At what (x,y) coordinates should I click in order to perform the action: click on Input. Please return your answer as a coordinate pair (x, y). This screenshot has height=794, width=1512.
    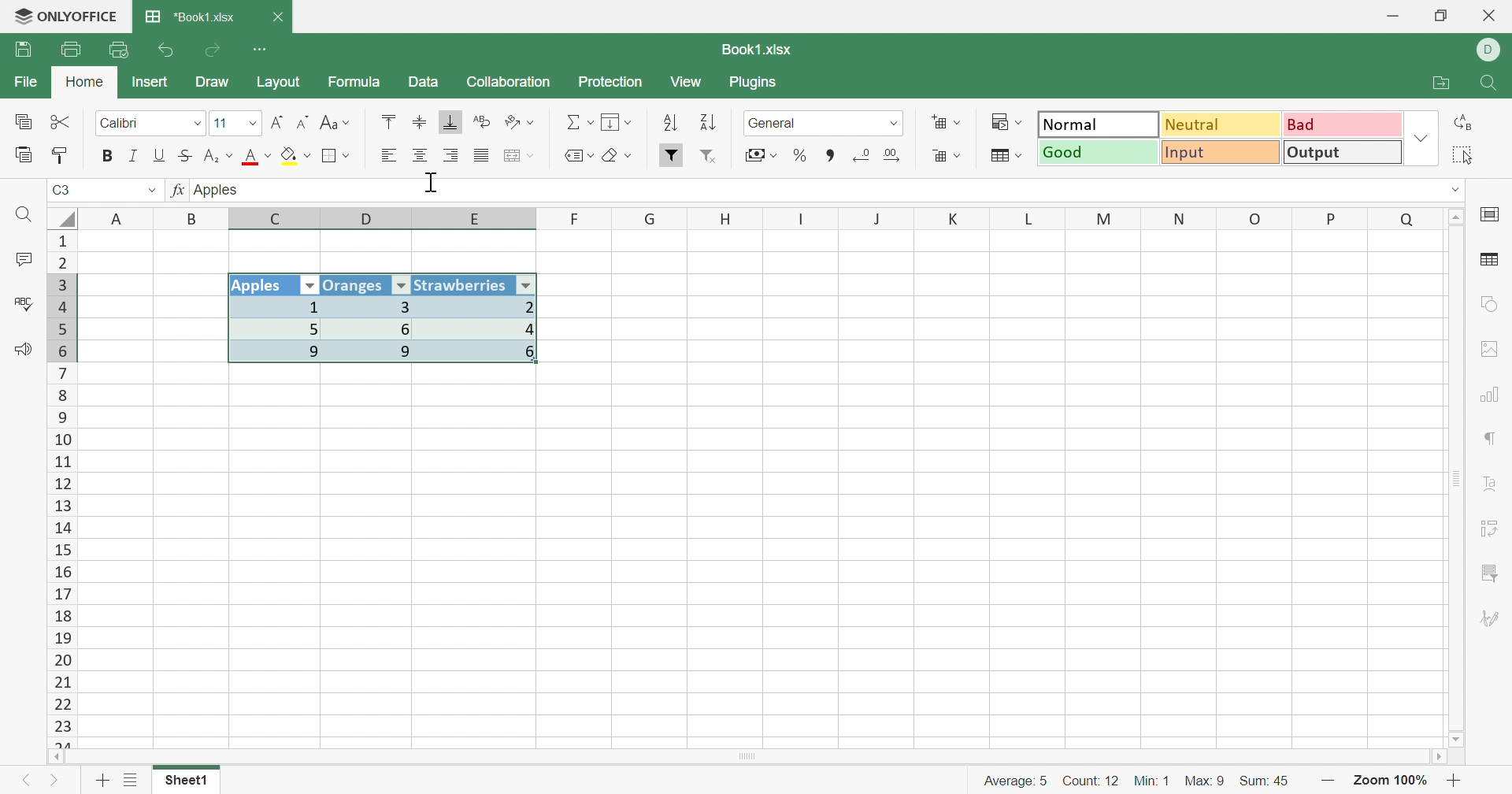
    Looking at the image, I should click on (1225, 154).